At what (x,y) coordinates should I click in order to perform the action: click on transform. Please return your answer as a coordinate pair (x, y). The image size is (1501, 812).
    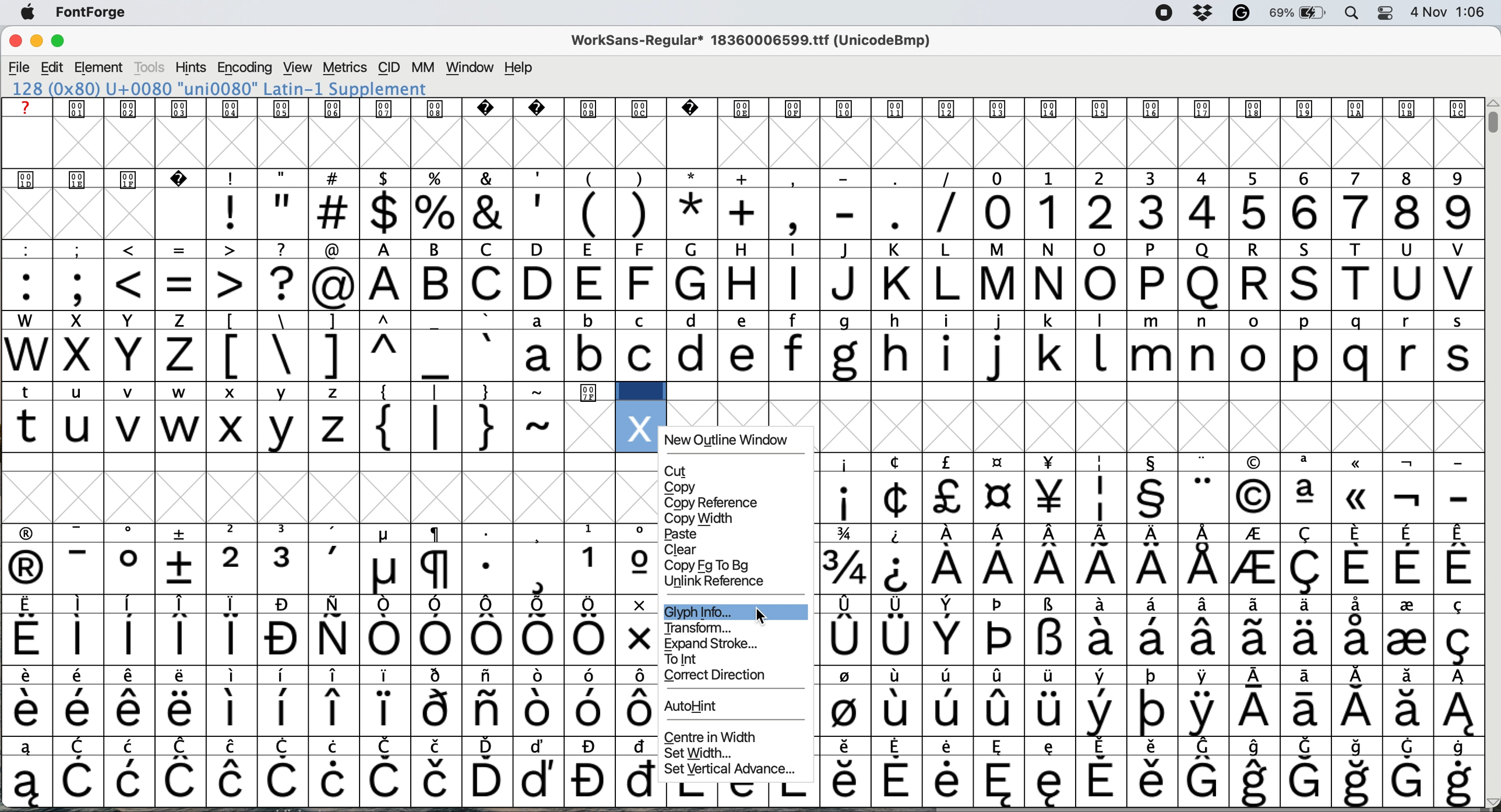
    Looking at the image, I should click on (700, 629).